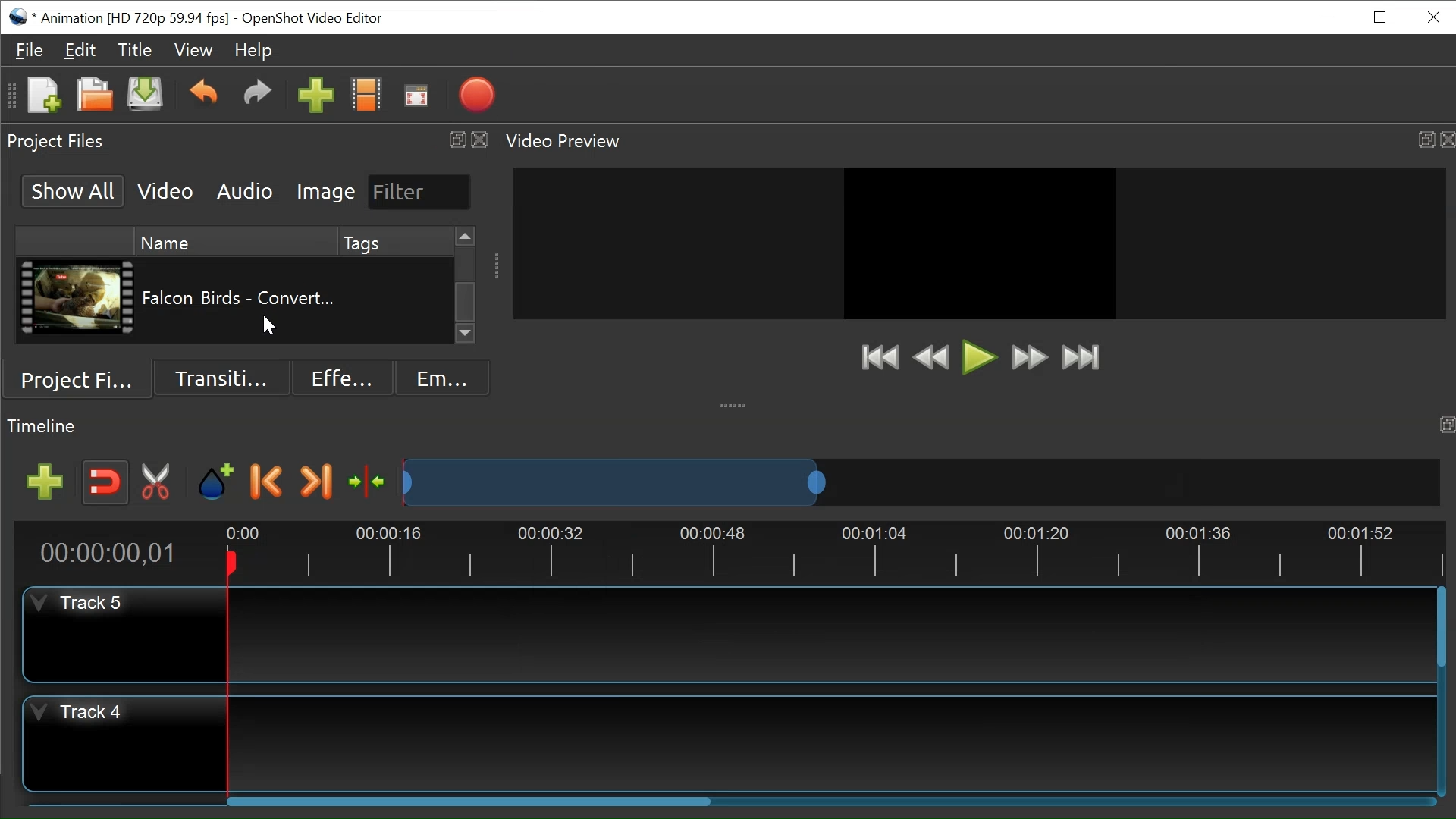 Image resolution: width=1456 pixels, height=819 pixels. Describe the element at coordinates (467, 334) in the screenshot. I see `Scroll down` at that location.